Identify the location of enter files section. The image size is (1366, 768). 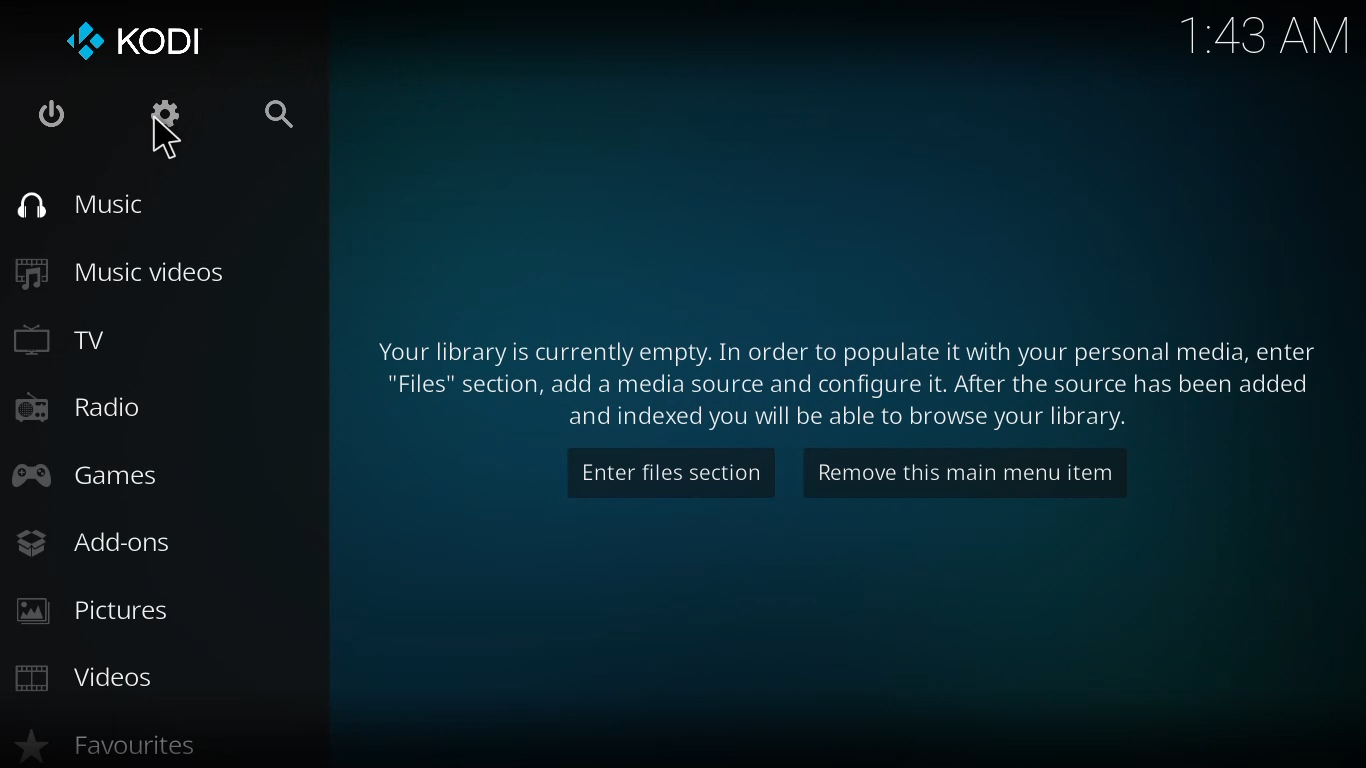
(673, 471).